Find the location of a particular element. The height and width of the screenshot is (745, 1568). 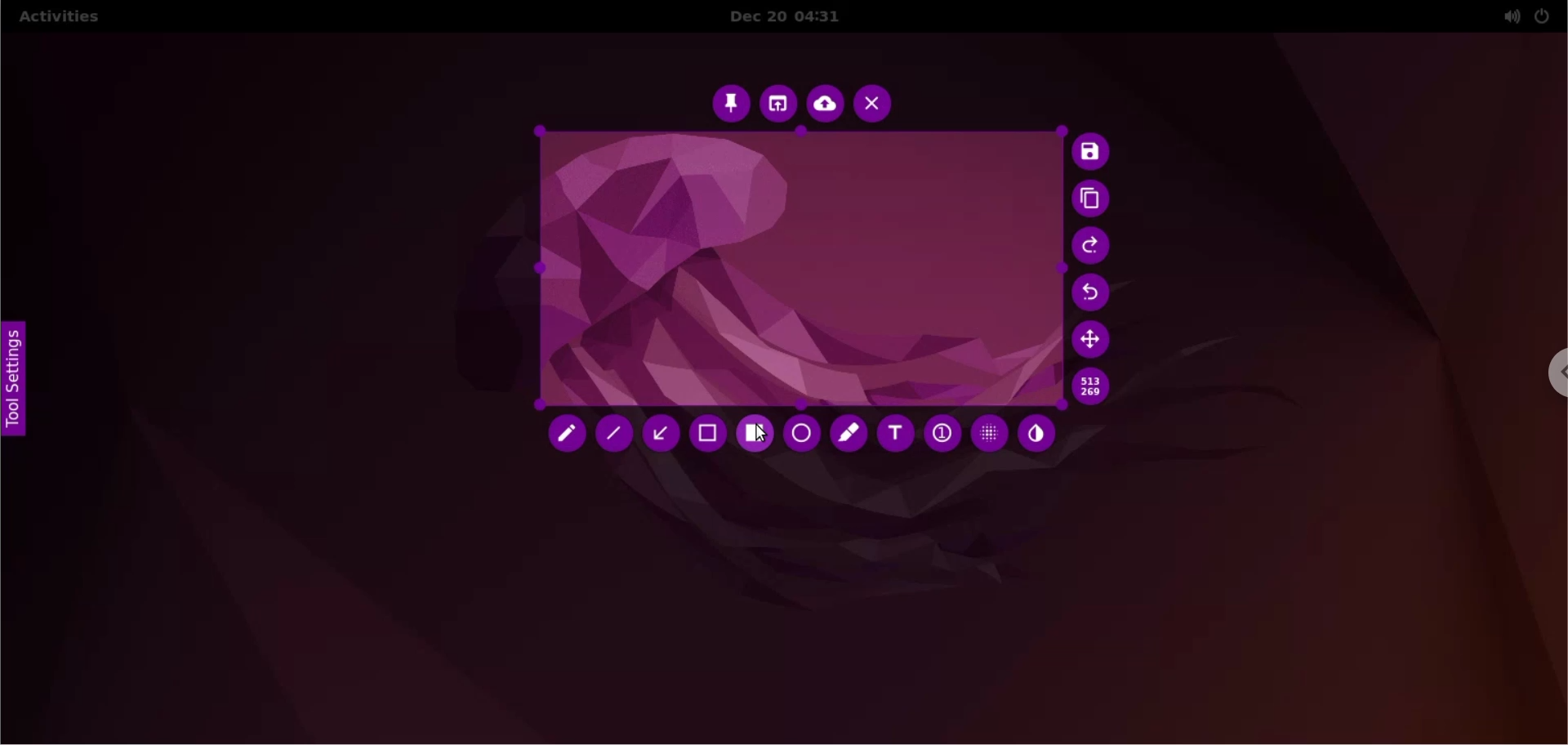

tool settings is located at coordinates (16, 386).